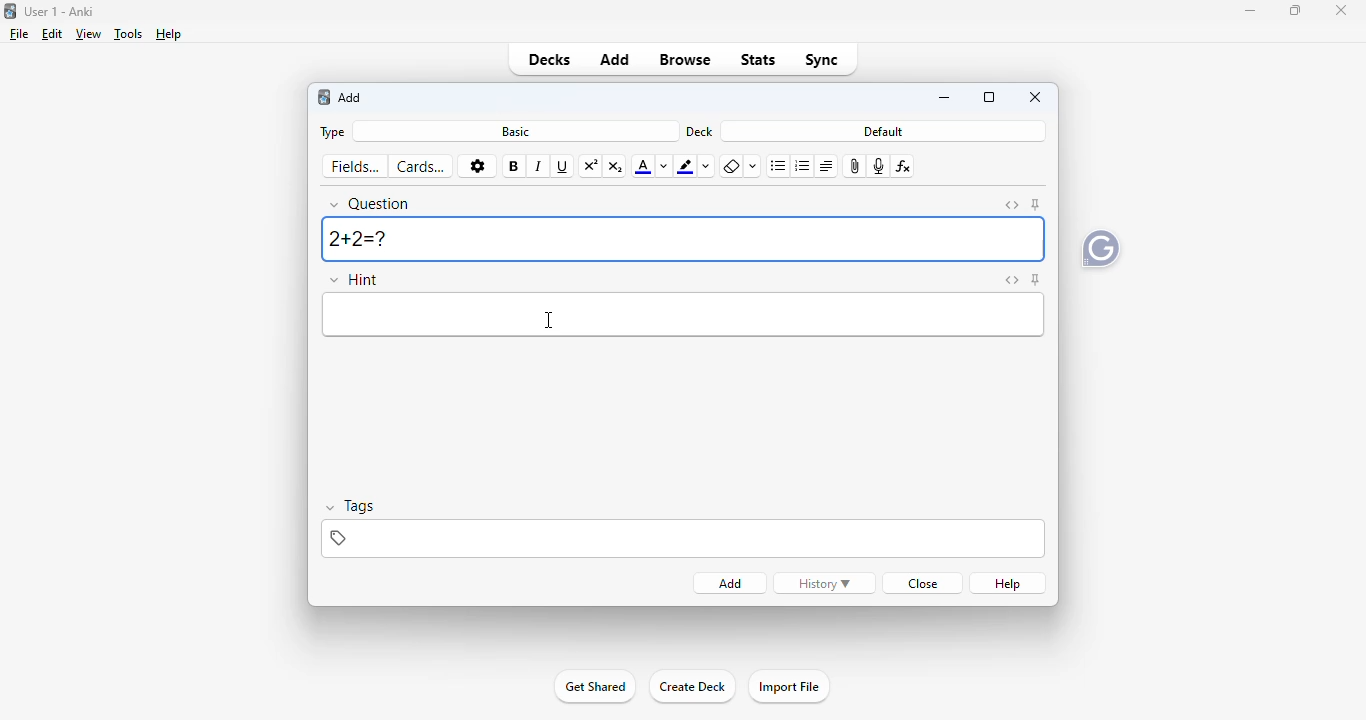 This screenshot has height=720, width=1366. What do you see at coordinates (925, 584) in the screenshot?
I see `close` at bounding box center [925, 584].